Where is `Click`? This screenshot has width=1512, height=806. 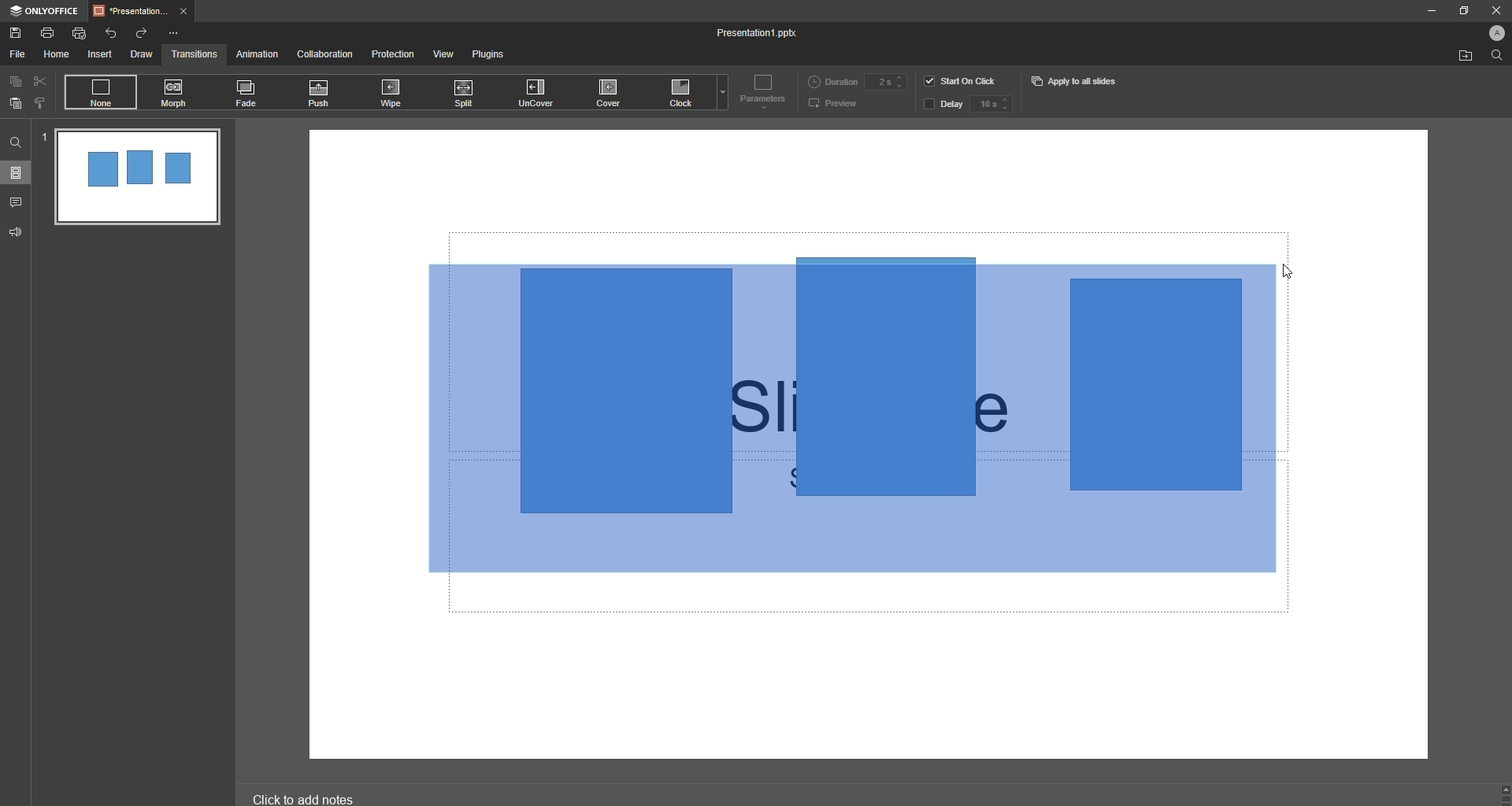
Click is located at coordinates (683, 95).